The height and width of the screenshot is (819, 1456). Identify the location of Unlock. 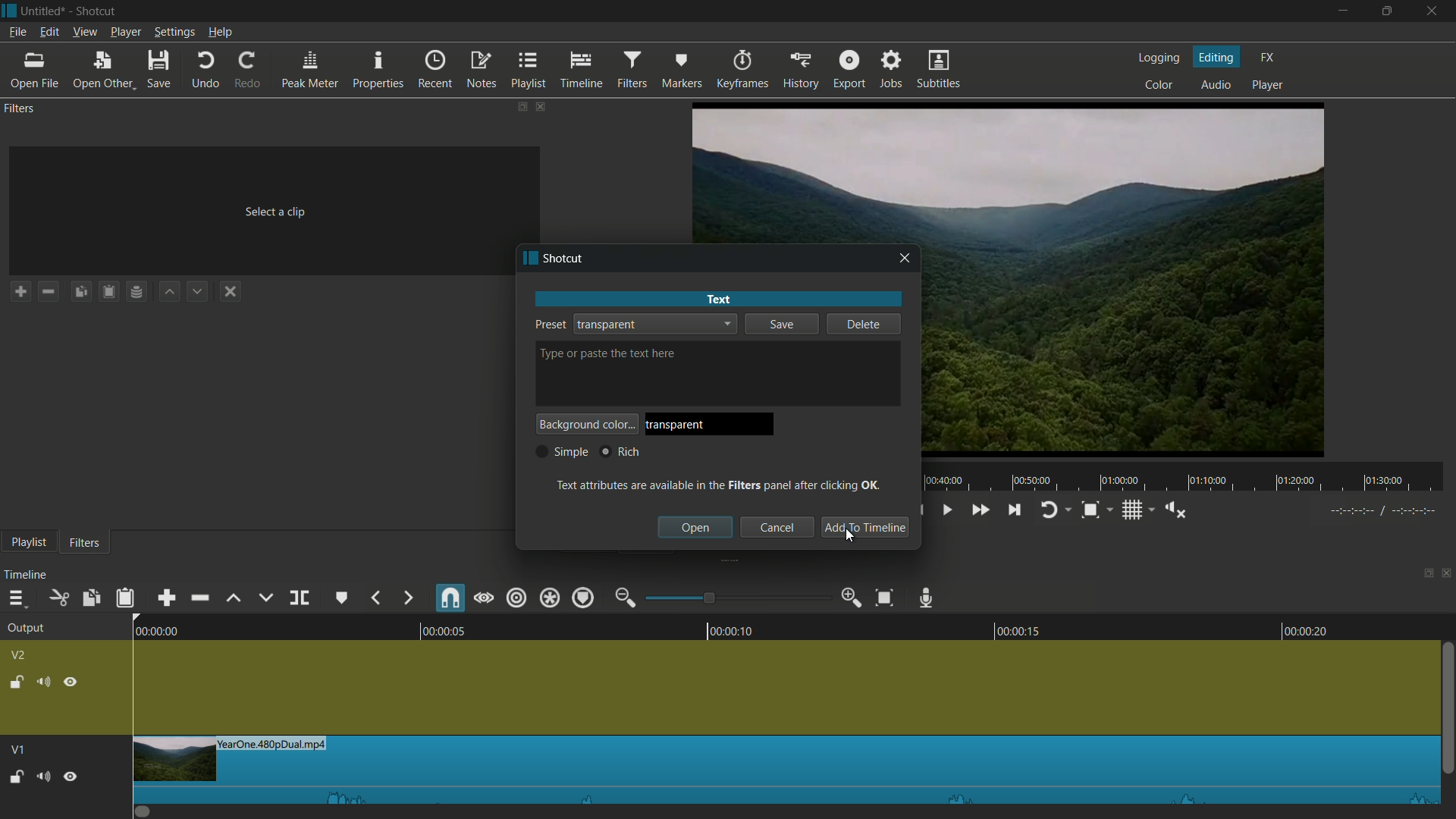
(16, 777).